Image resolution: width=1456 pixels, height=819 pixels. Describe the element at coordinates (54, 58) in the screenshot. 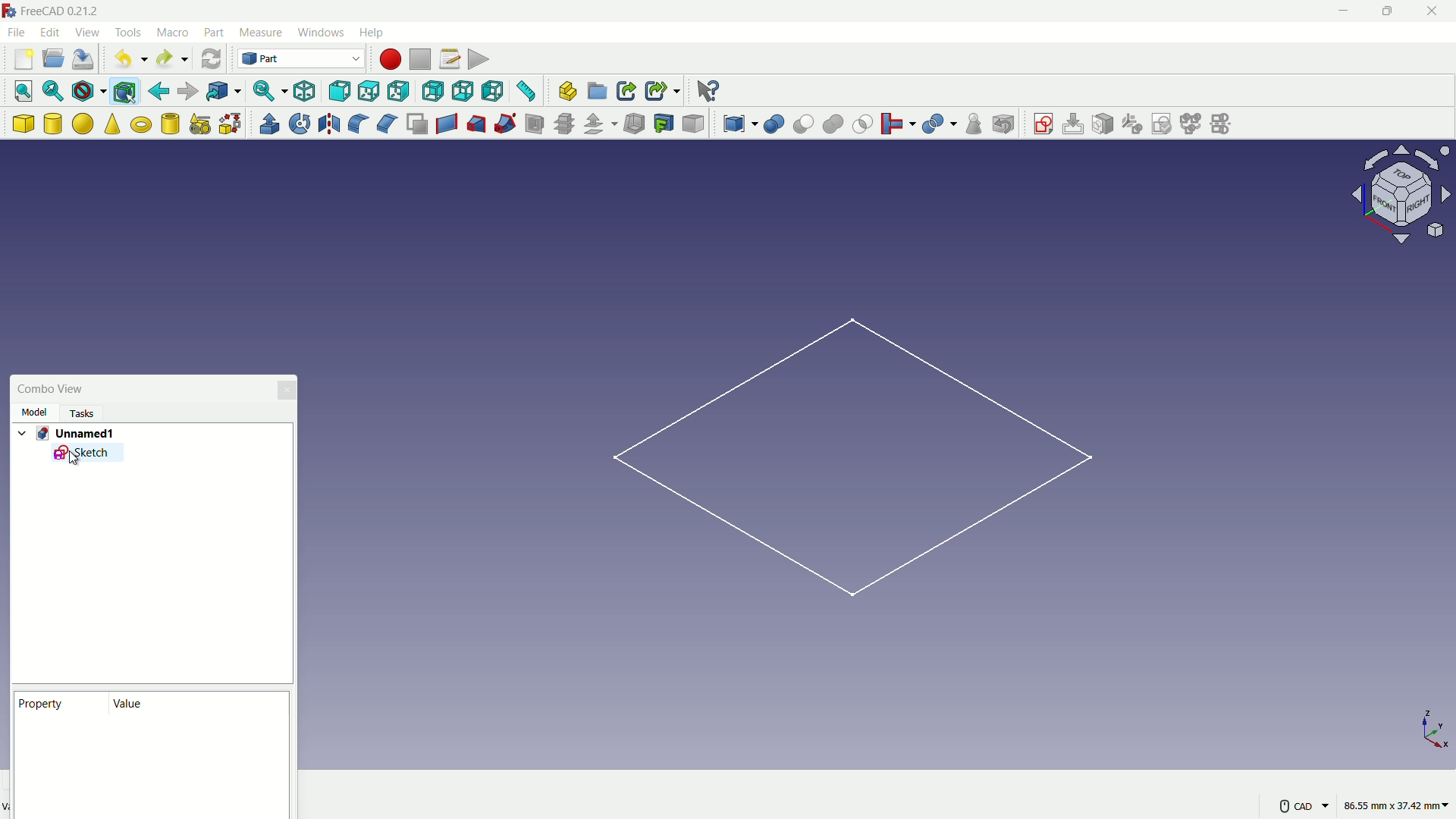

I see `open file` at that location.